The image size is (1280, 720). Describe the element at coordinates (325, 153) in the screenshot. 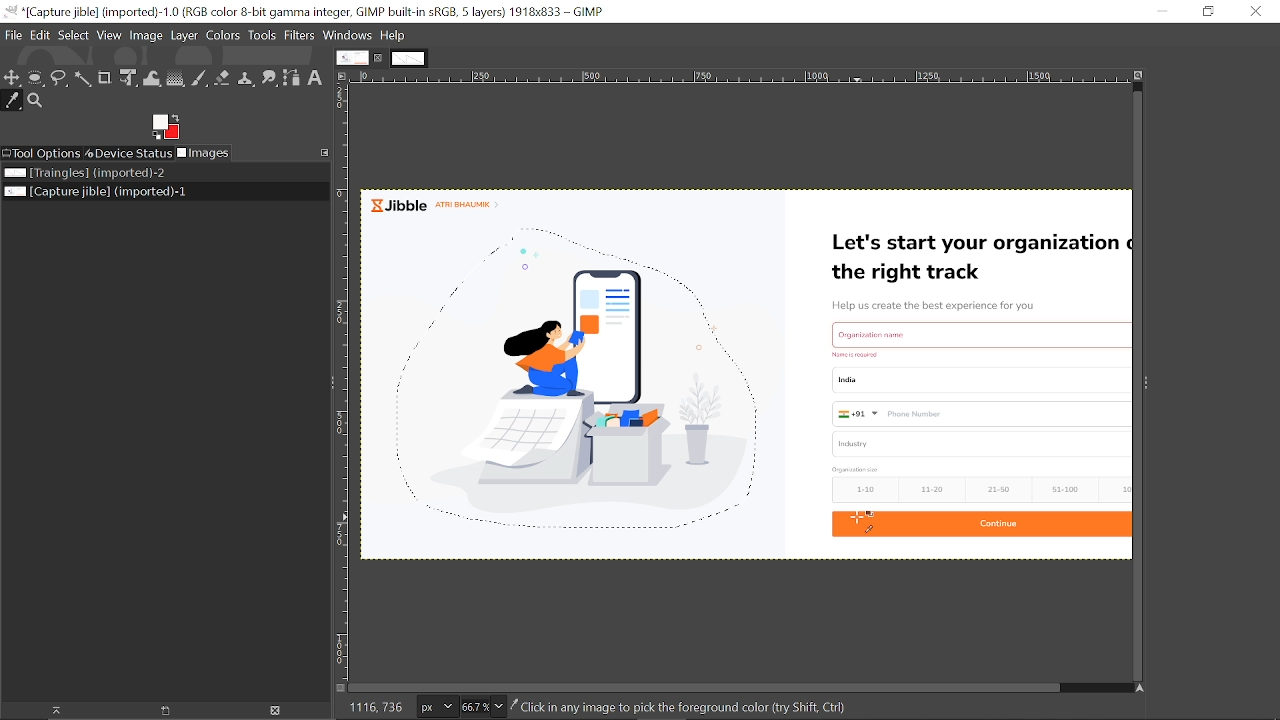

I see `Configure this tab` at that location.